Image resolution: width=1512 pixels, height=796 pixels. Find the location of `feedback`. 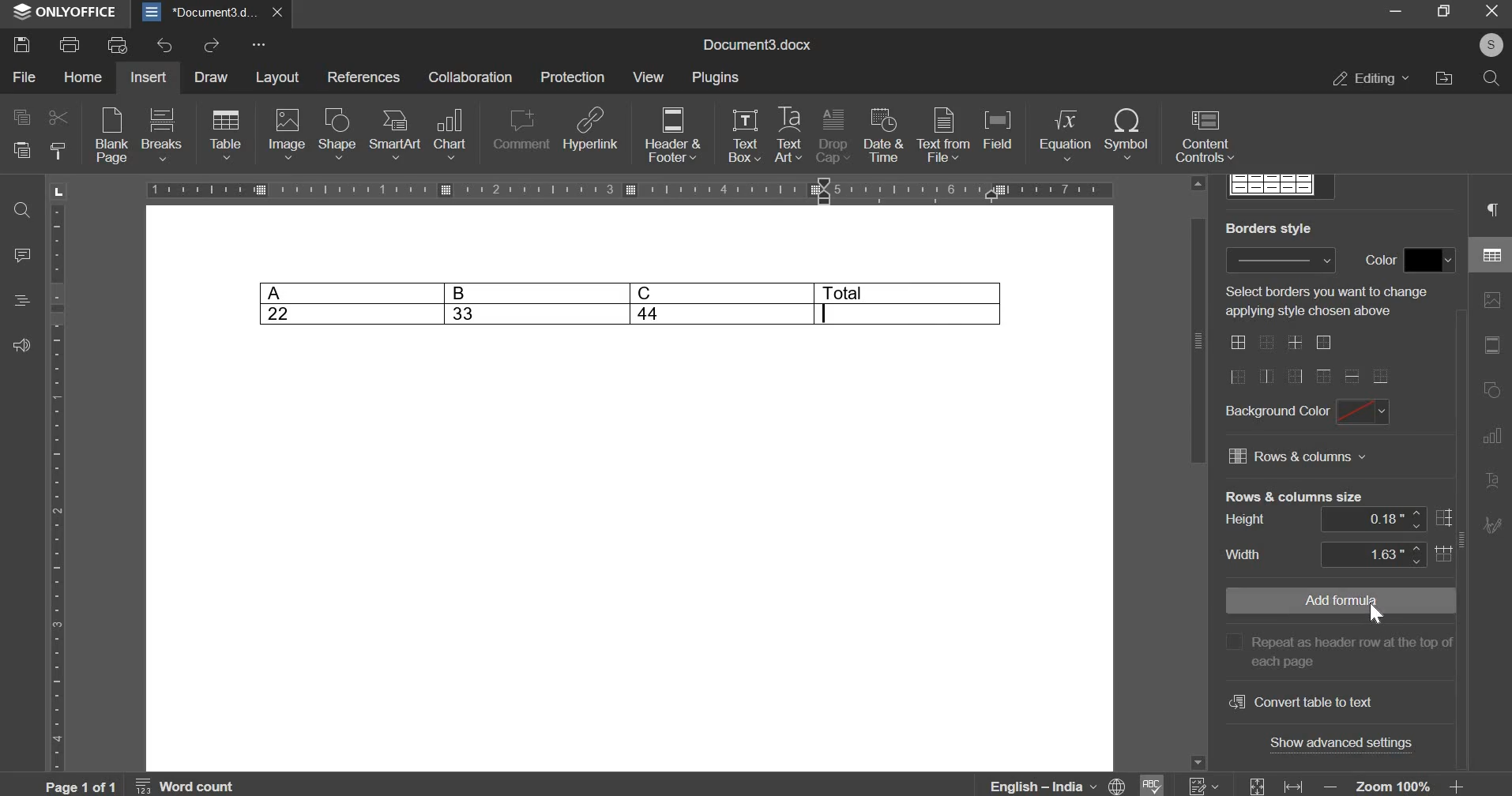

feedback is located at coordinates (24, 344).